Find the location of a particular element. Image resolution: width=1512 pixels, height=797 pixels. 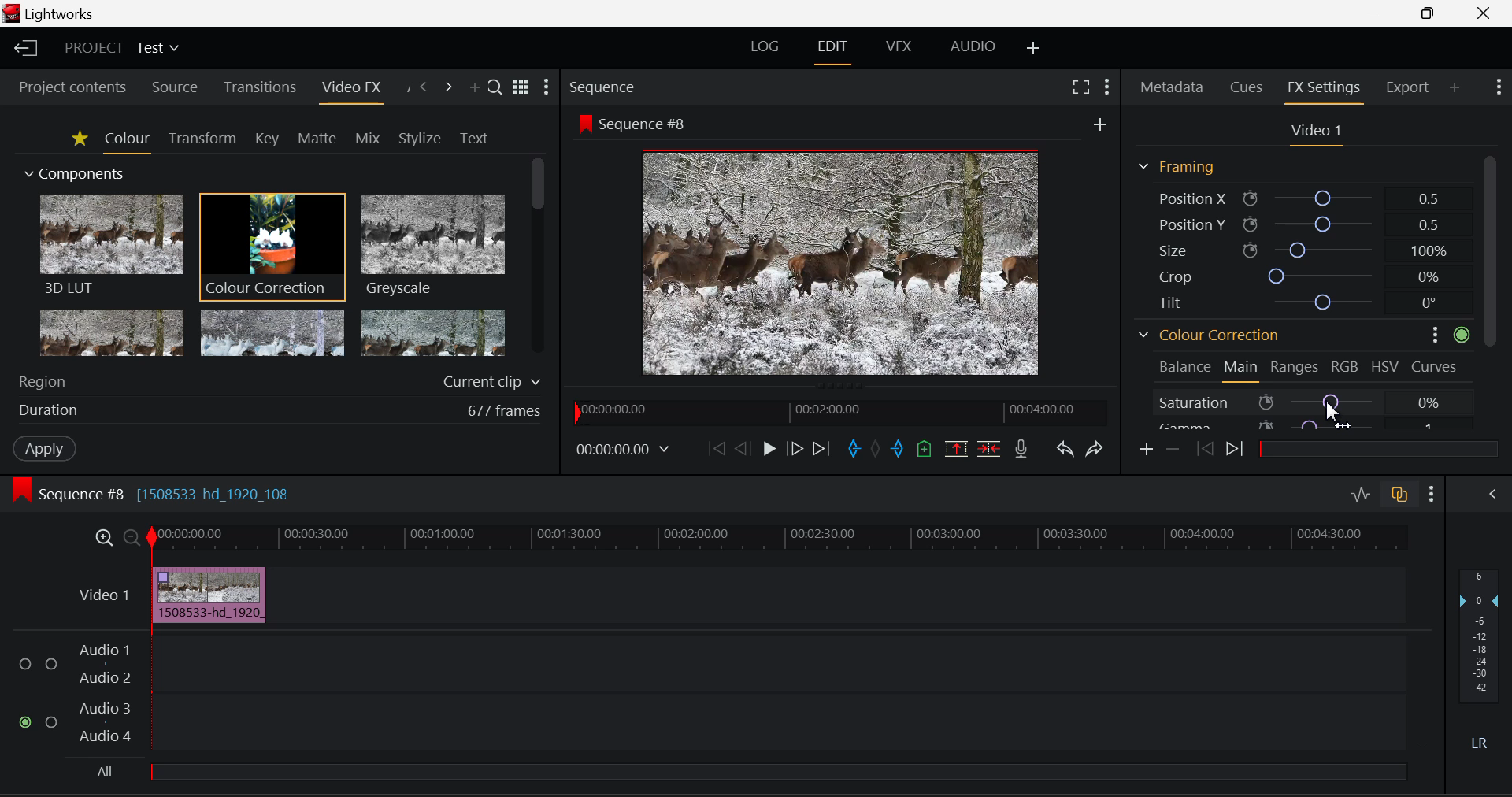

Scroll Bar is located at coordinates (539, 262).